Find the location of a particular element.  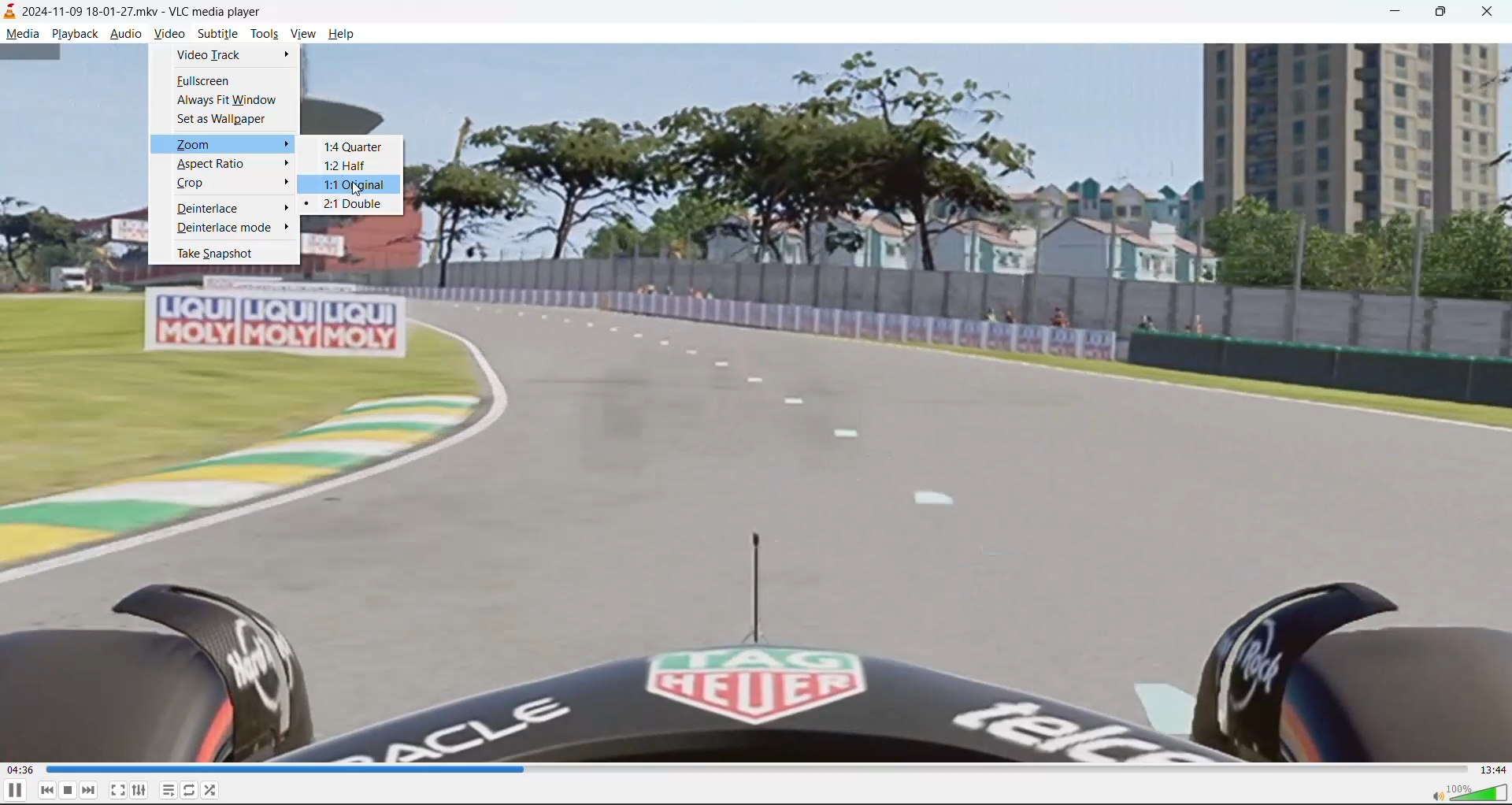

audio is located at coordinates (126, 33).